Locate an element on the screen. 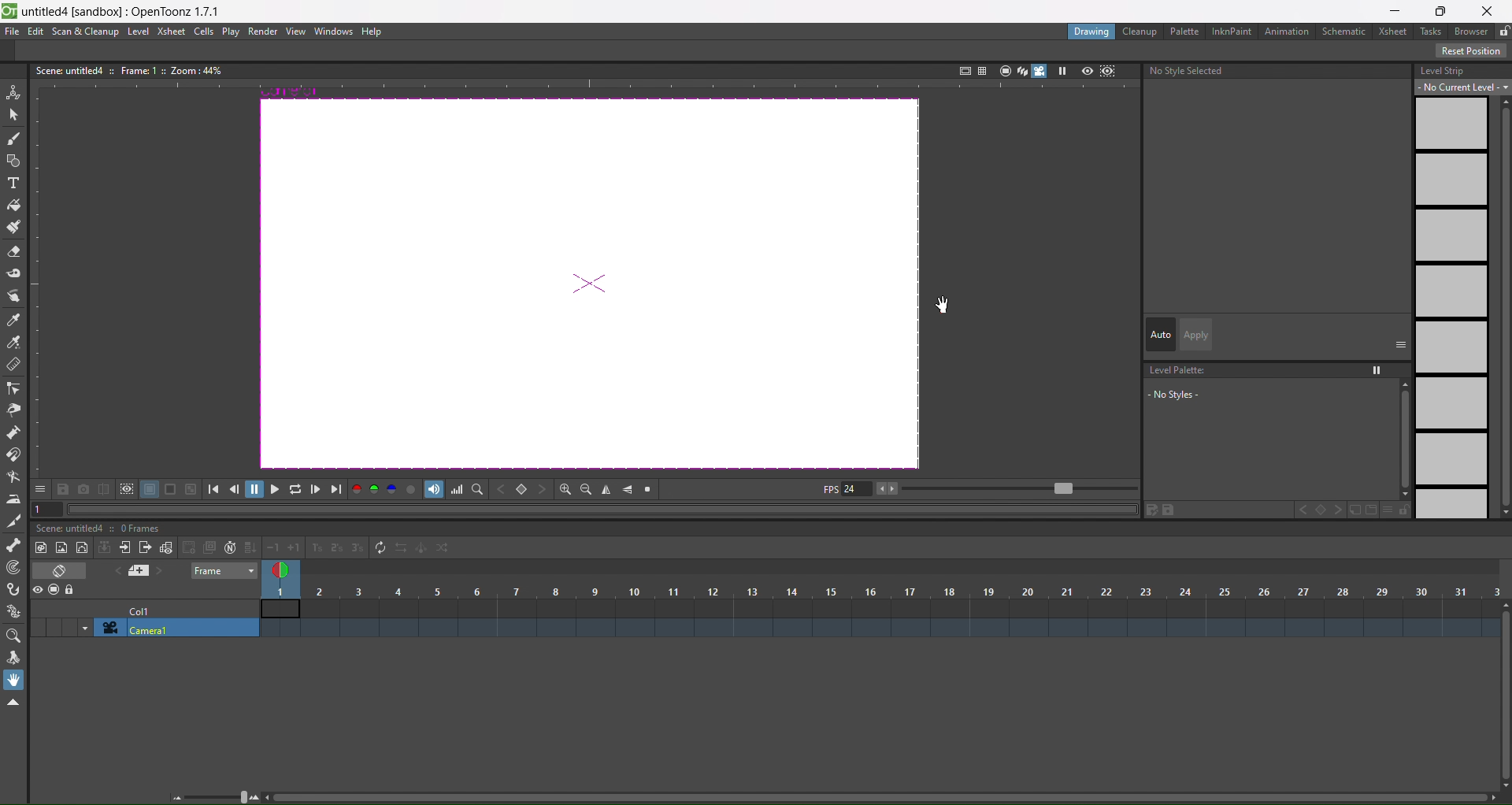  reverse is located at coordinates (400, 549).